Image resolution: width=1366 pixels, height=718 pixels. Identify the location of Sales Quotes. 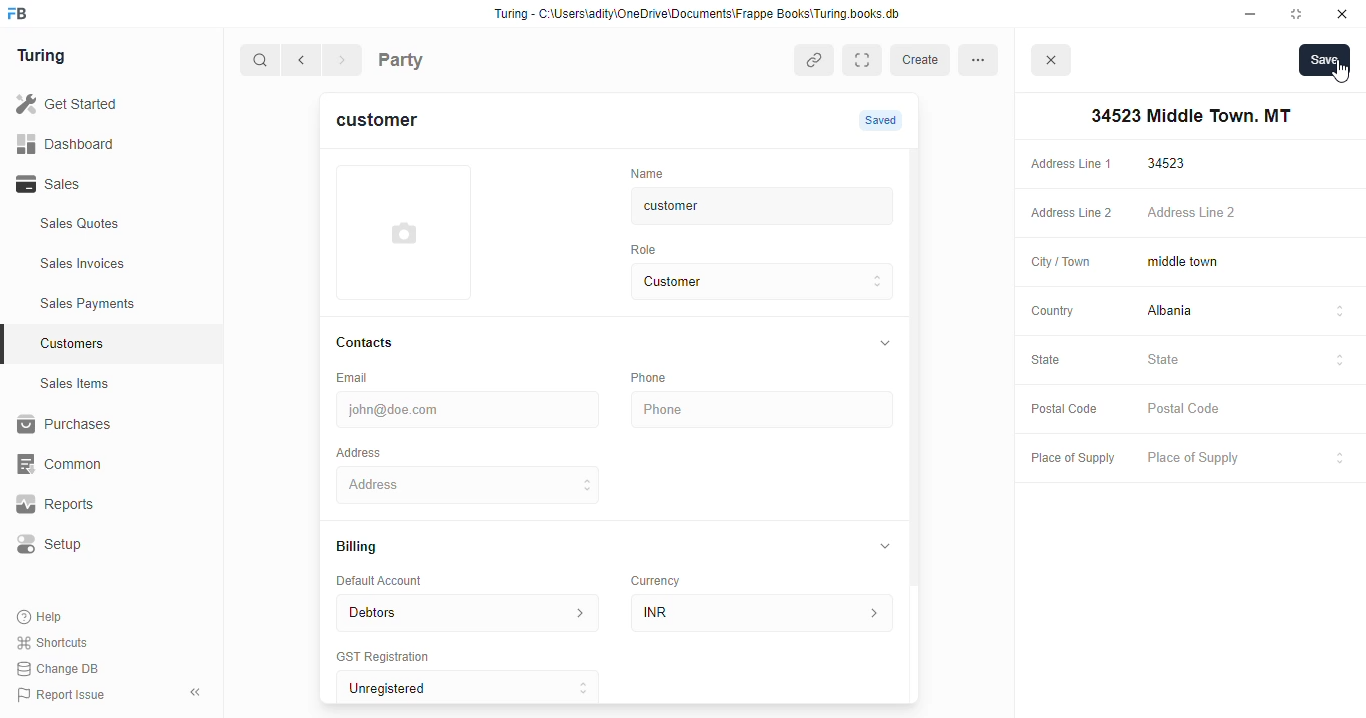
(107, 226).